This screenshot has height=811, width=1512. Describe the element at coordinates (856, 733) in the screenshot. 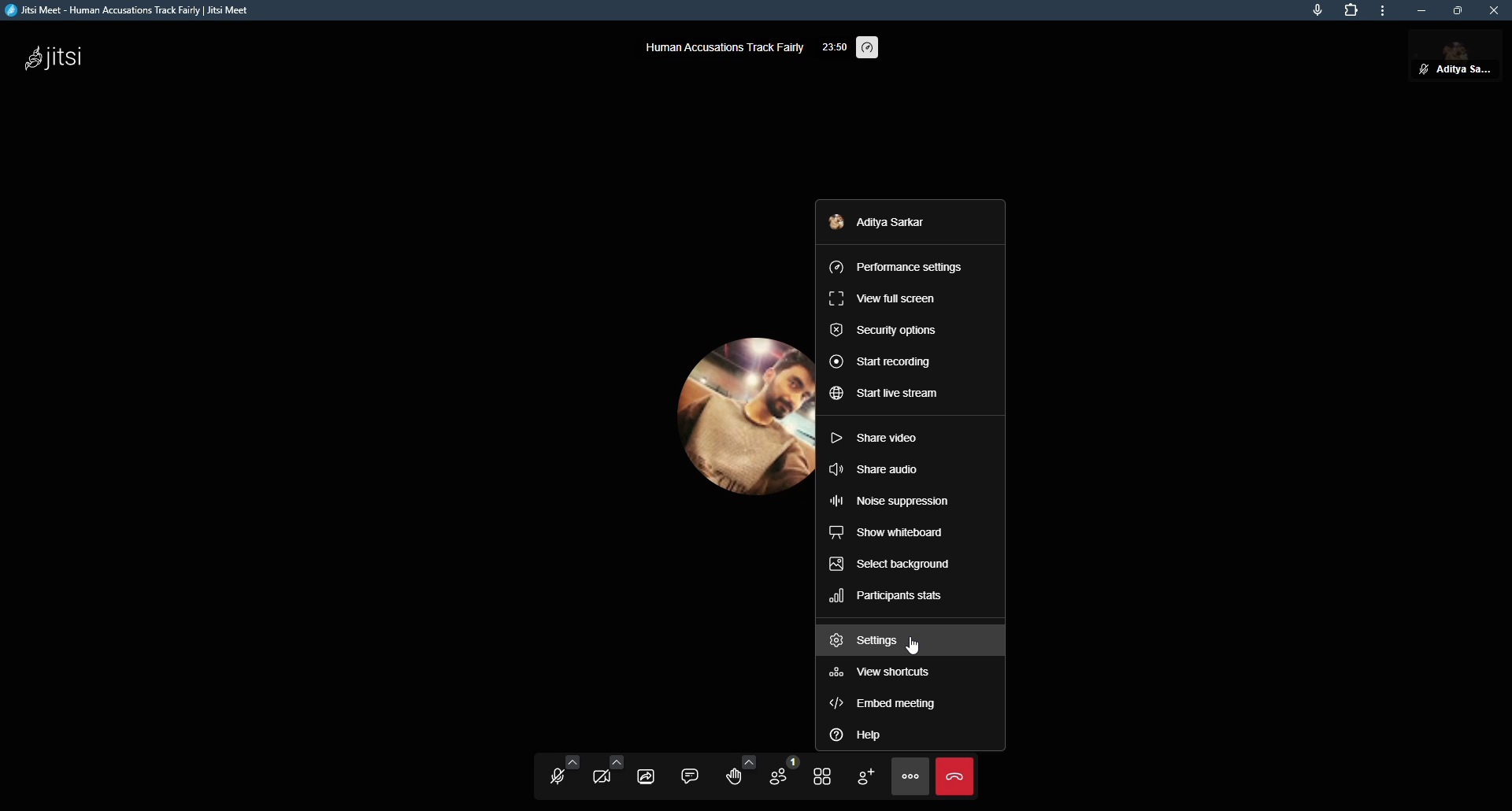

I see `help` at that location.